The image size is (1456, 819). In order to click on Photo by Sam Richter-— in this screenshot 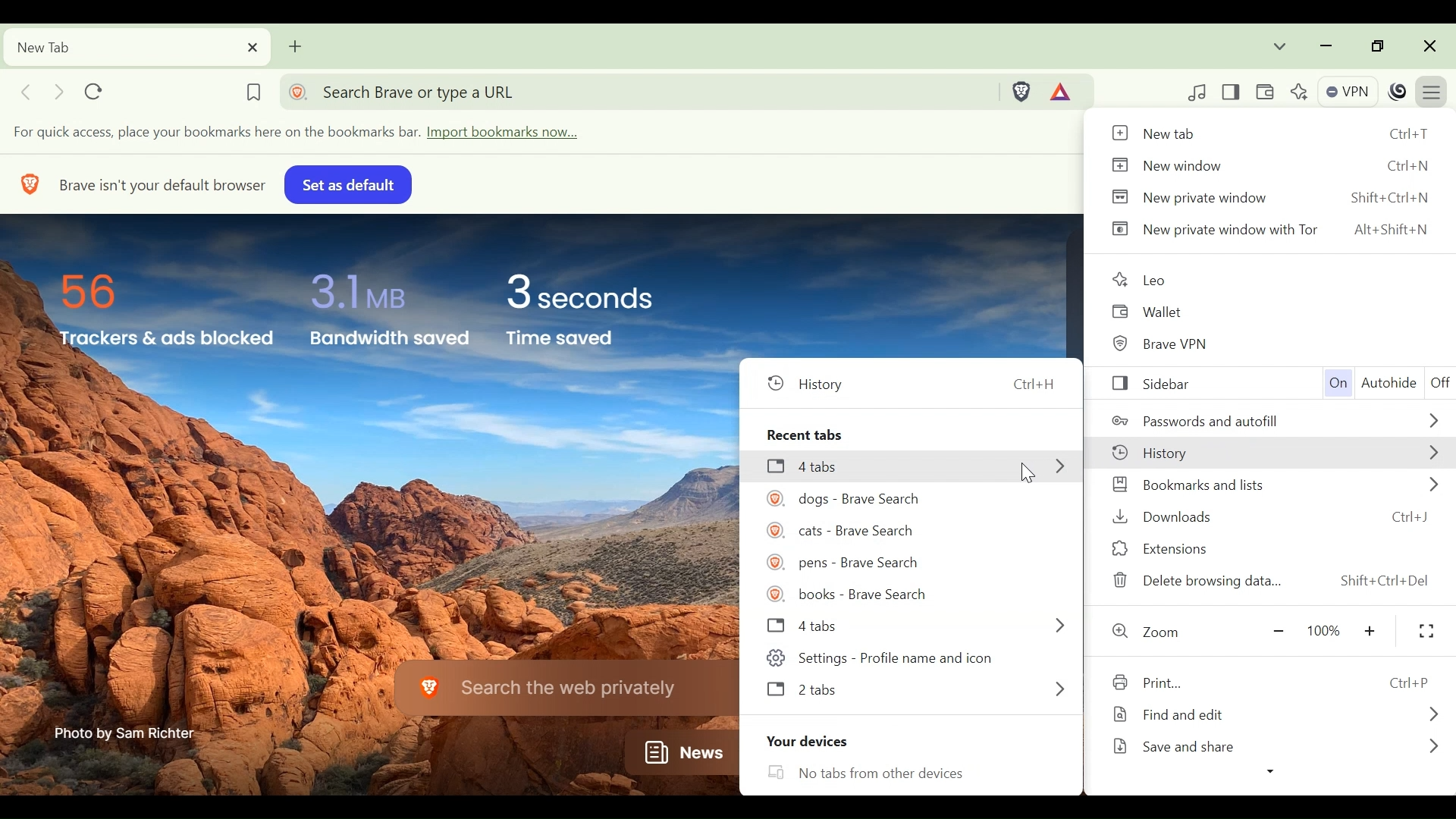, I will do `click(127, 732)`.